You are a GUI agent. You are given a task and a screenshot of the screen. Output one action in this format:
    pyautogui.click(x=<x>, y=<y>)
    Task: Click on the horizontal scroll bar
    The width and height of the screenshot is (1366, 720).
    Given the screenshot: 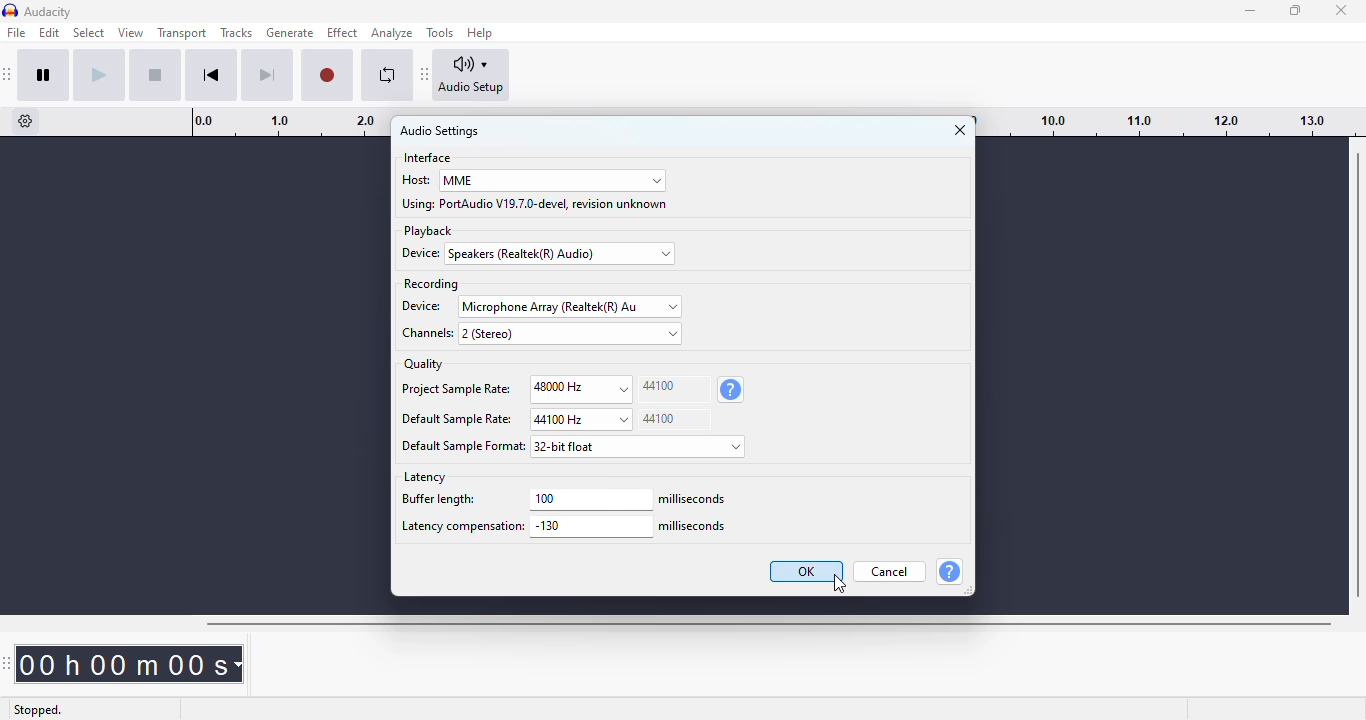 What is the action you would take?
    pyautogui.click(x=768, y=624)
    